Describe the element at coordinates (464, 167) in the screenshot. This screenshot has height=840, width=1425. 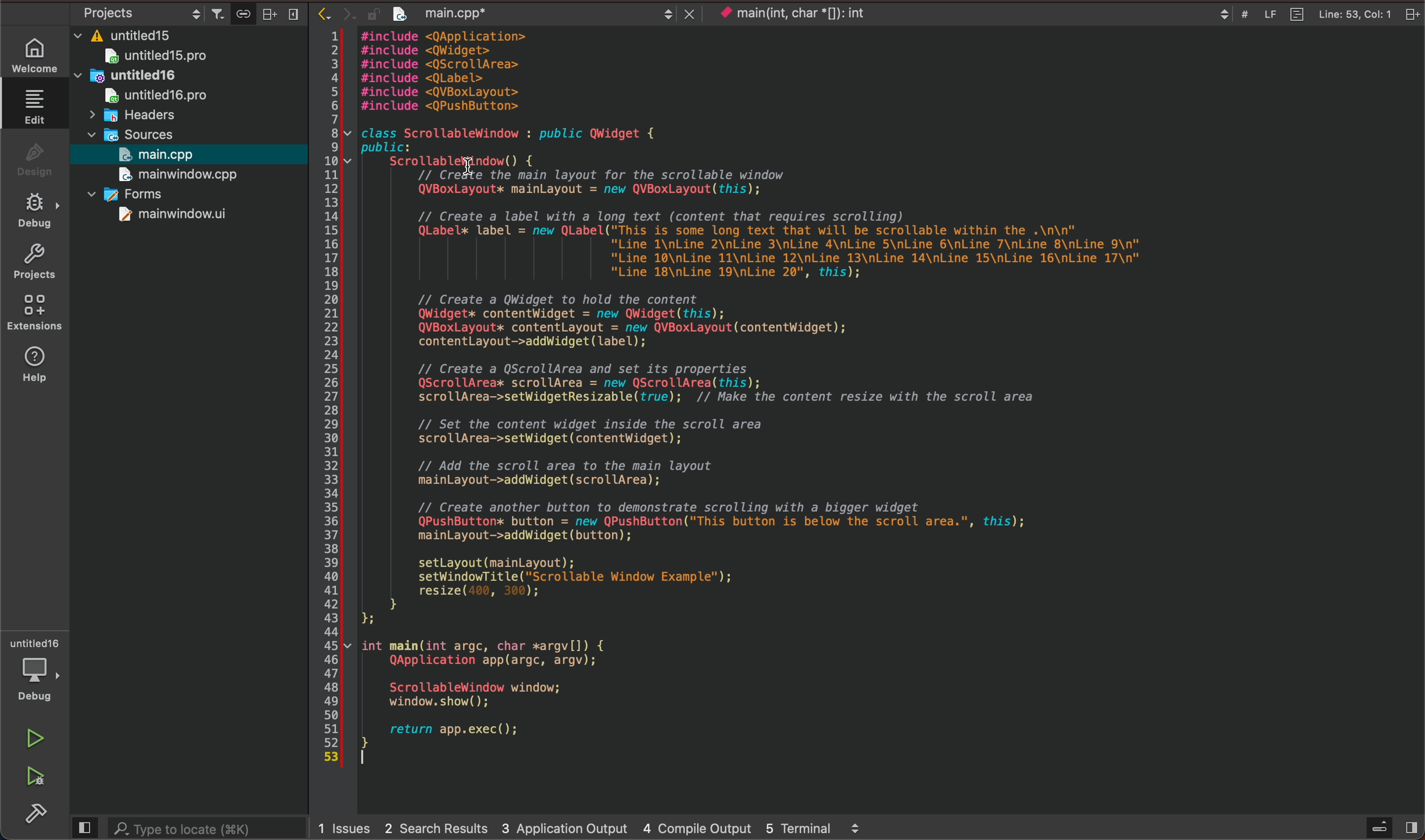
I see `cursor` at that location.